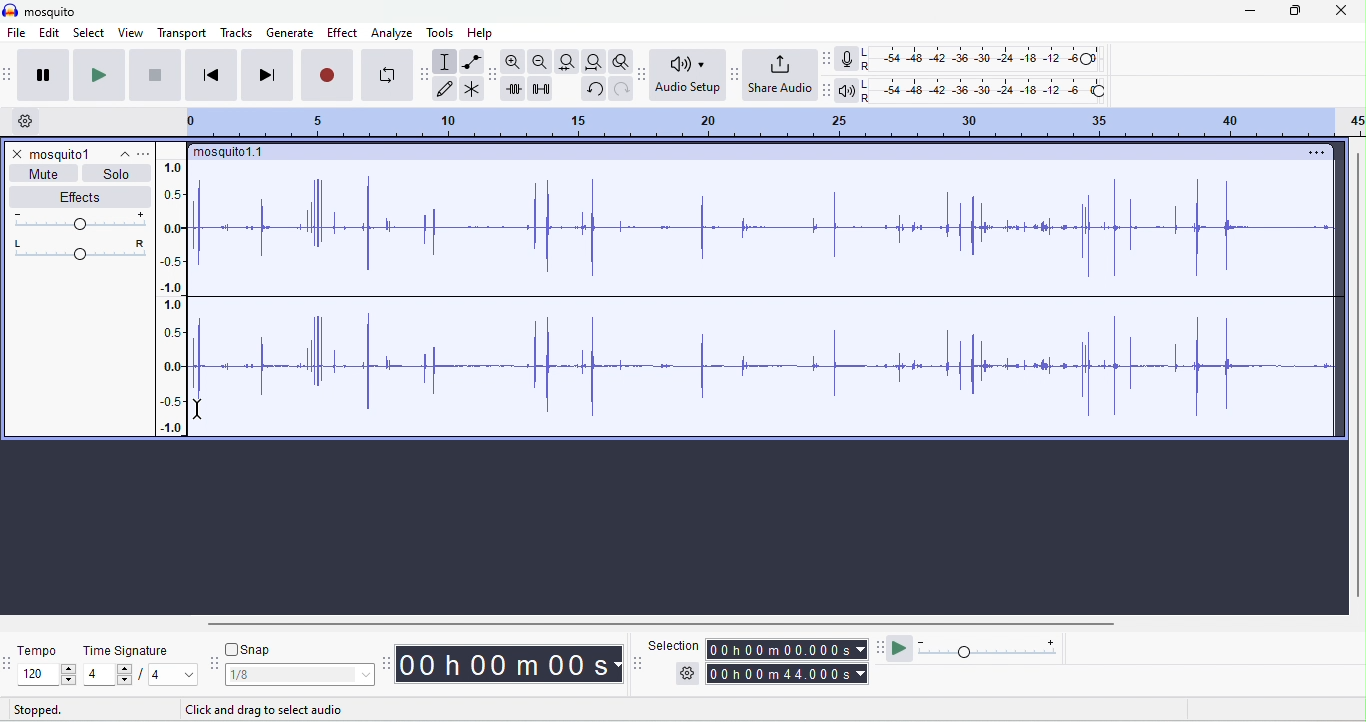  I want to click on time tool, so click(389, 665).